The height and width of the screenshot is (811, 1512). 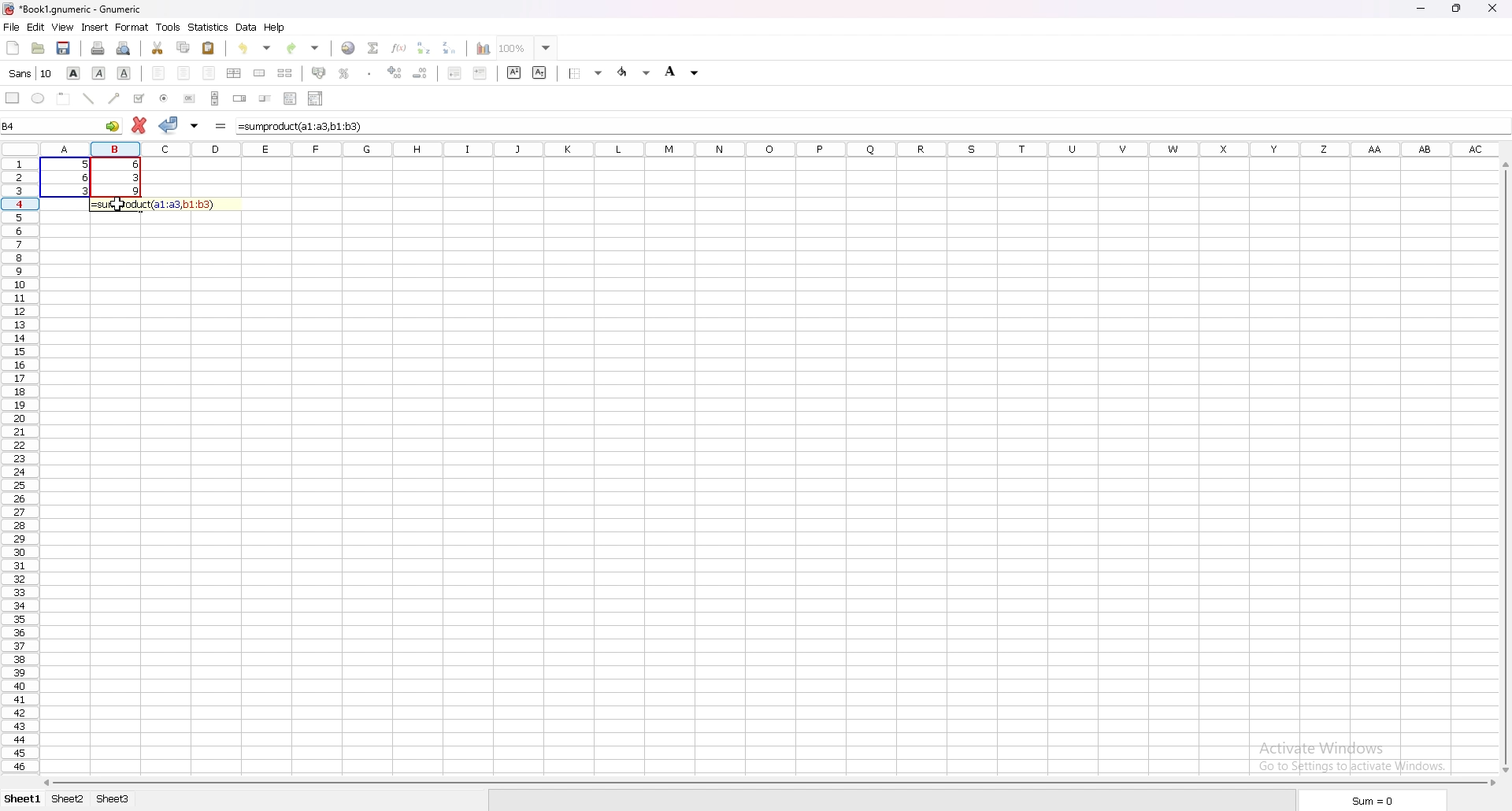 I want to click on scroll button, so click(x=214, y=98).